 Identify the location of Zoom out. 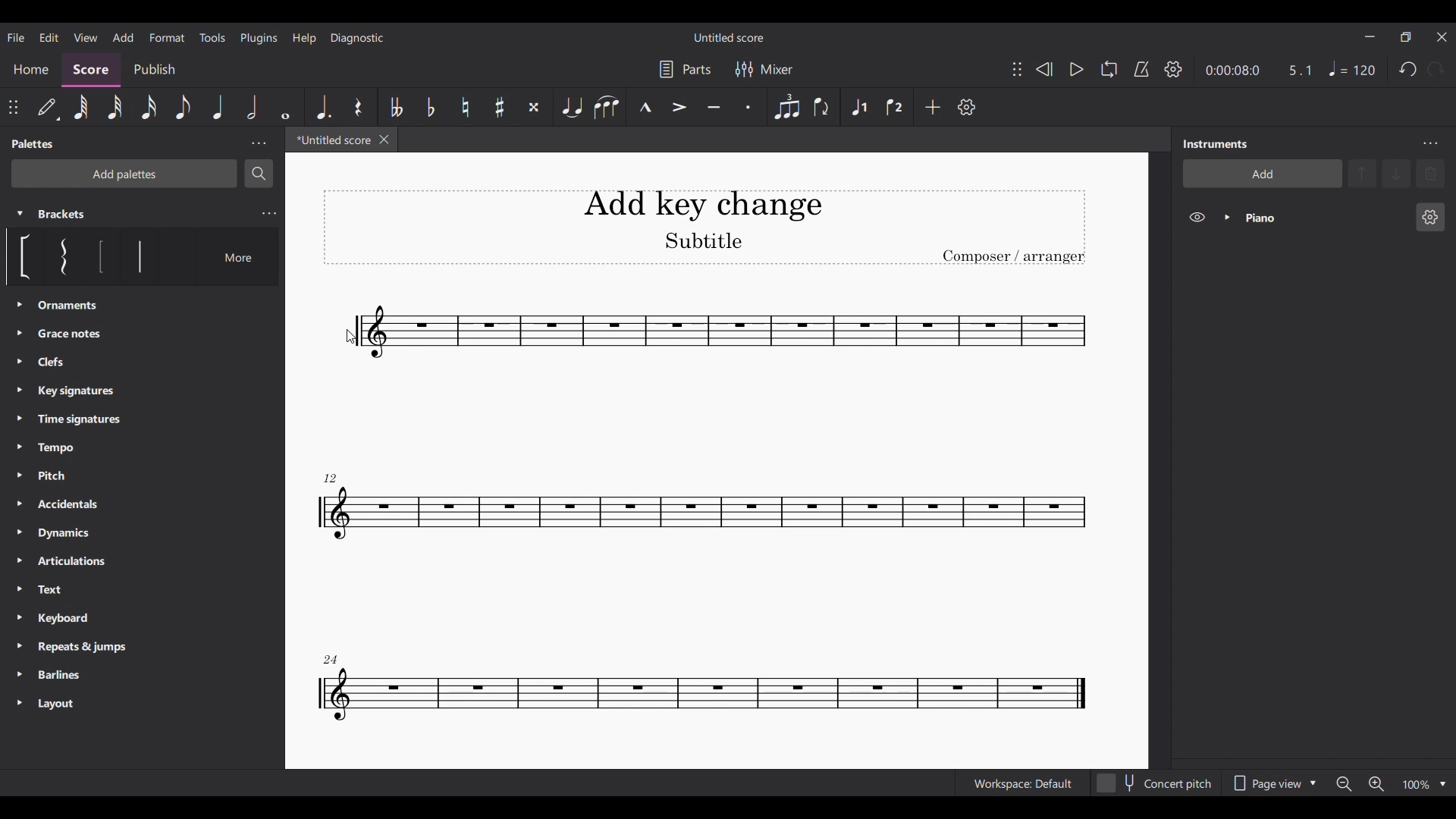
(1342, 784).